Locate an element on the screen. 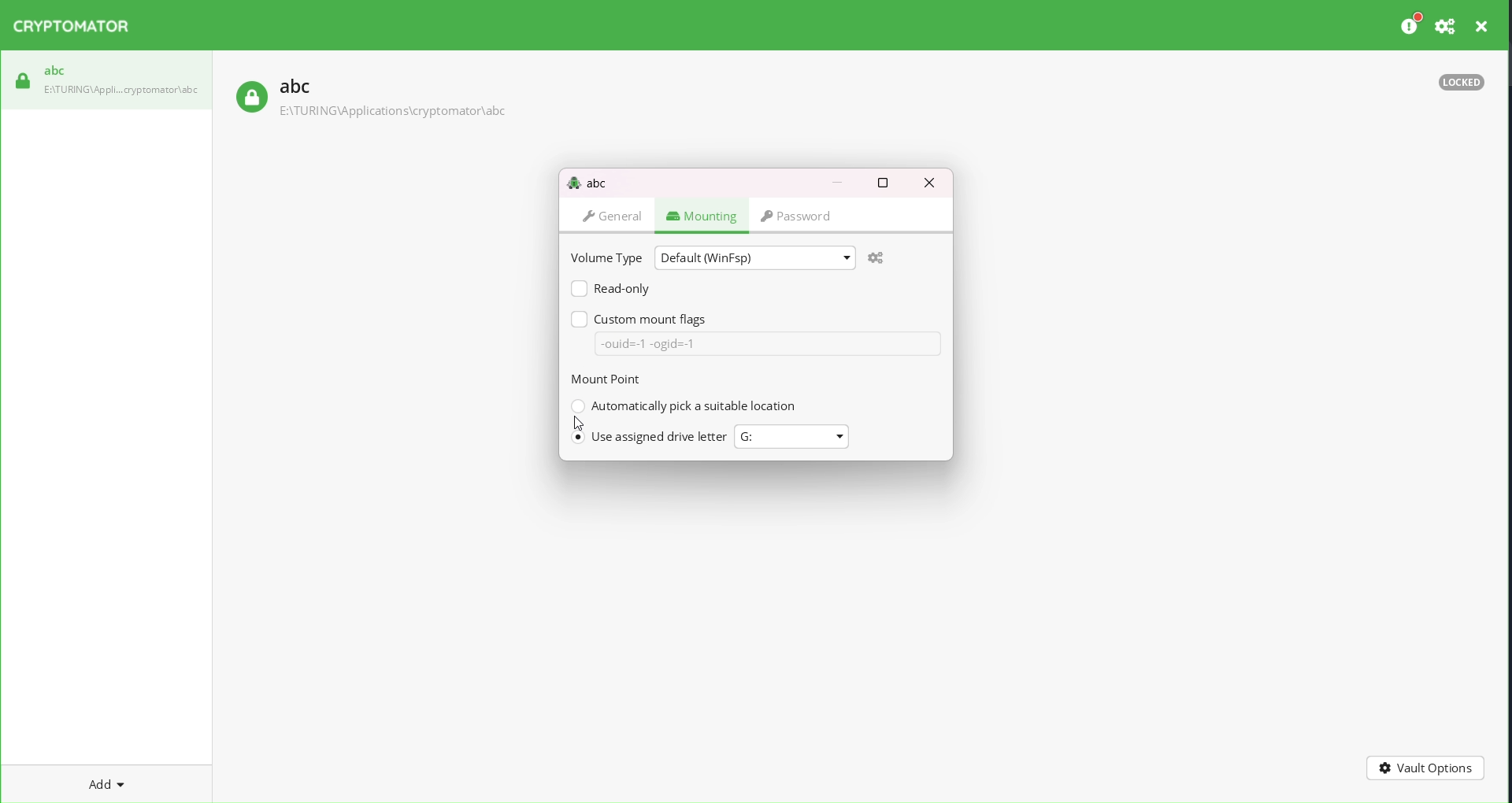 The image size is (1512, 803). default is located at coordinates (752, 257).